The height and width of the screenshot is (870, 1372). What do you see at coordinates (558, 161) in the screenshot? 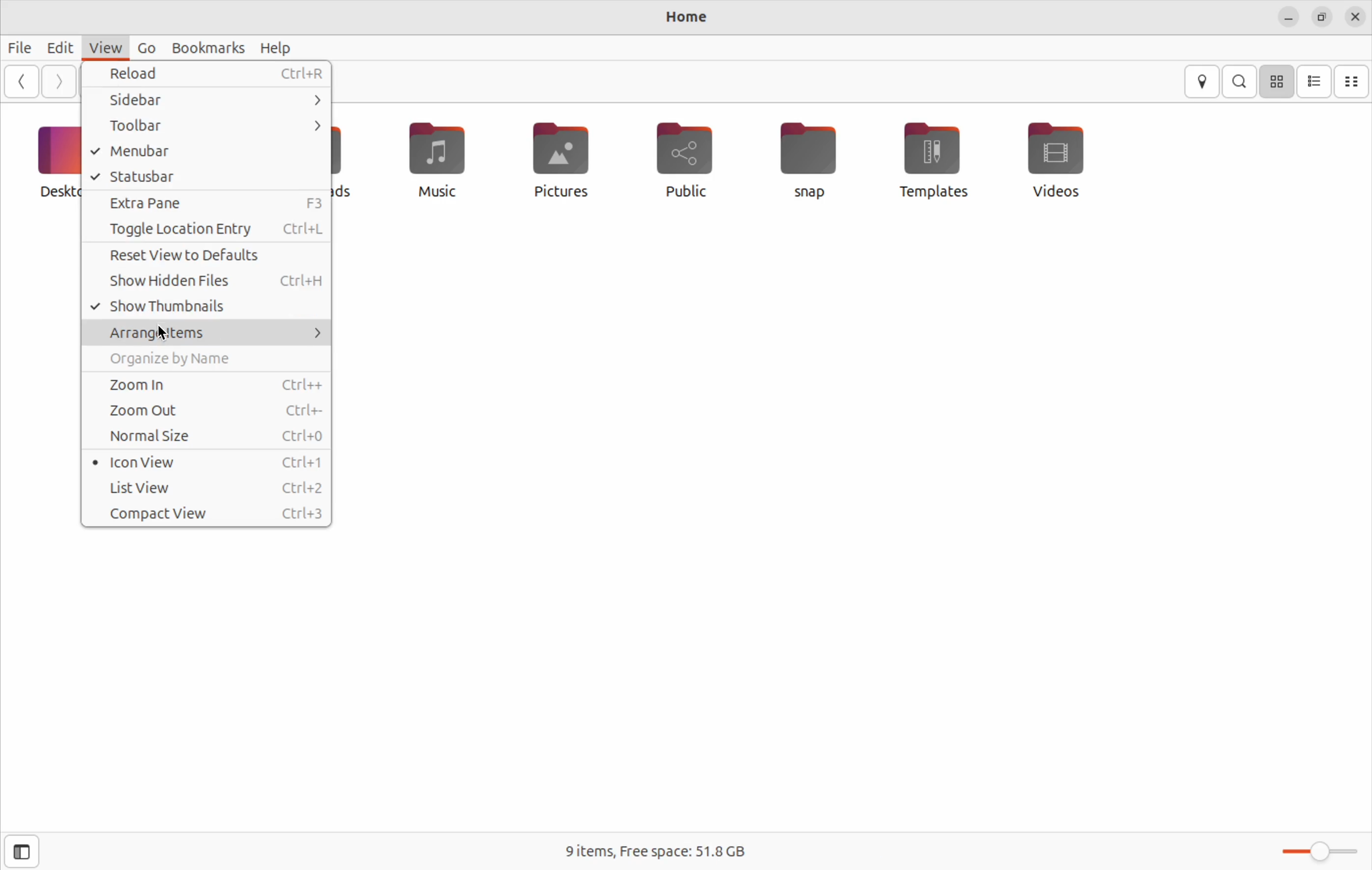
I see `pictures` at bounding box center [558, 161].